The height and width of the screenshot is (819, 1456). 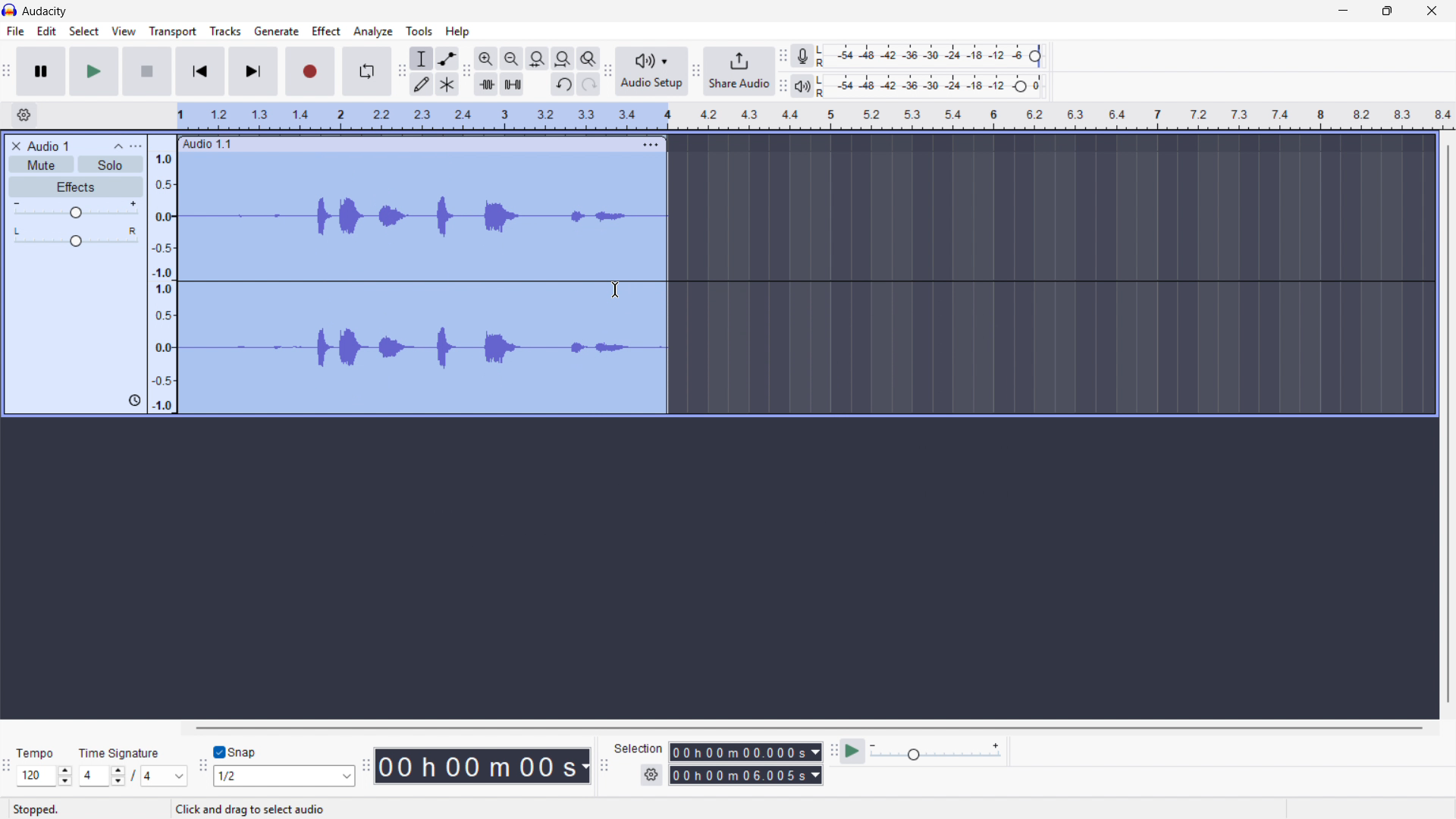 I want to click on track control, so click(x=130, y=398).